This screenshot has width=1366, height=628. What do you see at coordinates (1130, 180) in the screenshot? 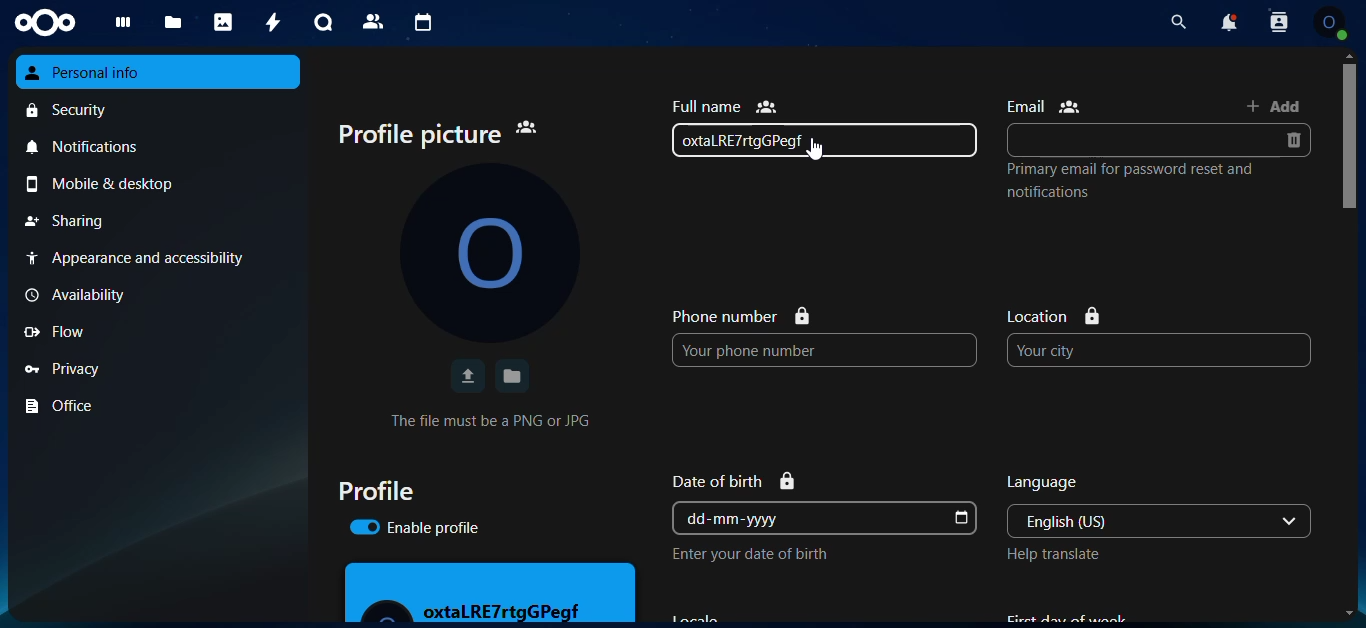
I see `Primary email for password reset and notifications` at bounding box center [1130, 180].